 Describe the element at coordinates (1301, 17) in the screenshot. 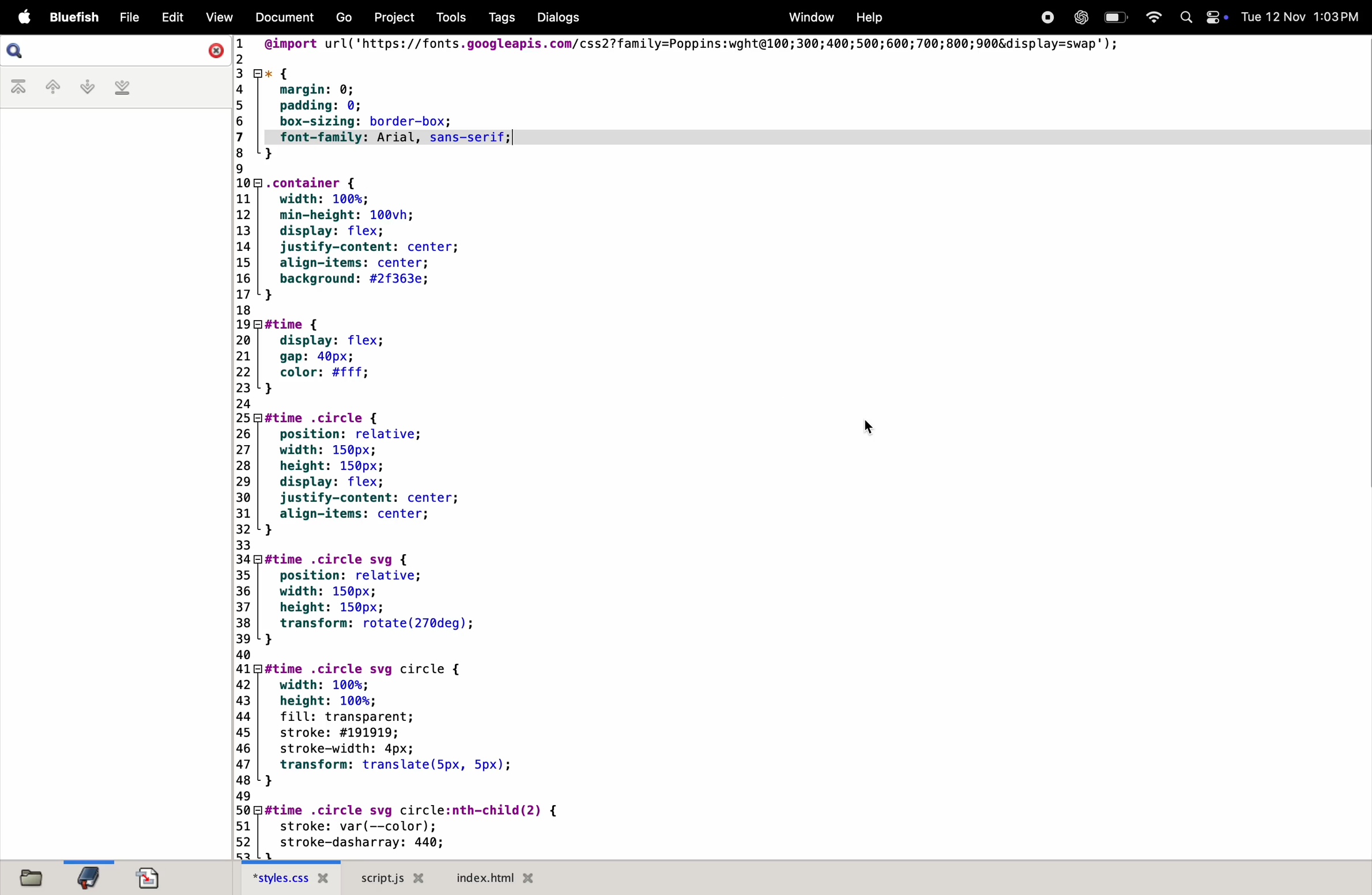

I see `Tue 12 Nov 1:03PM` at that location.